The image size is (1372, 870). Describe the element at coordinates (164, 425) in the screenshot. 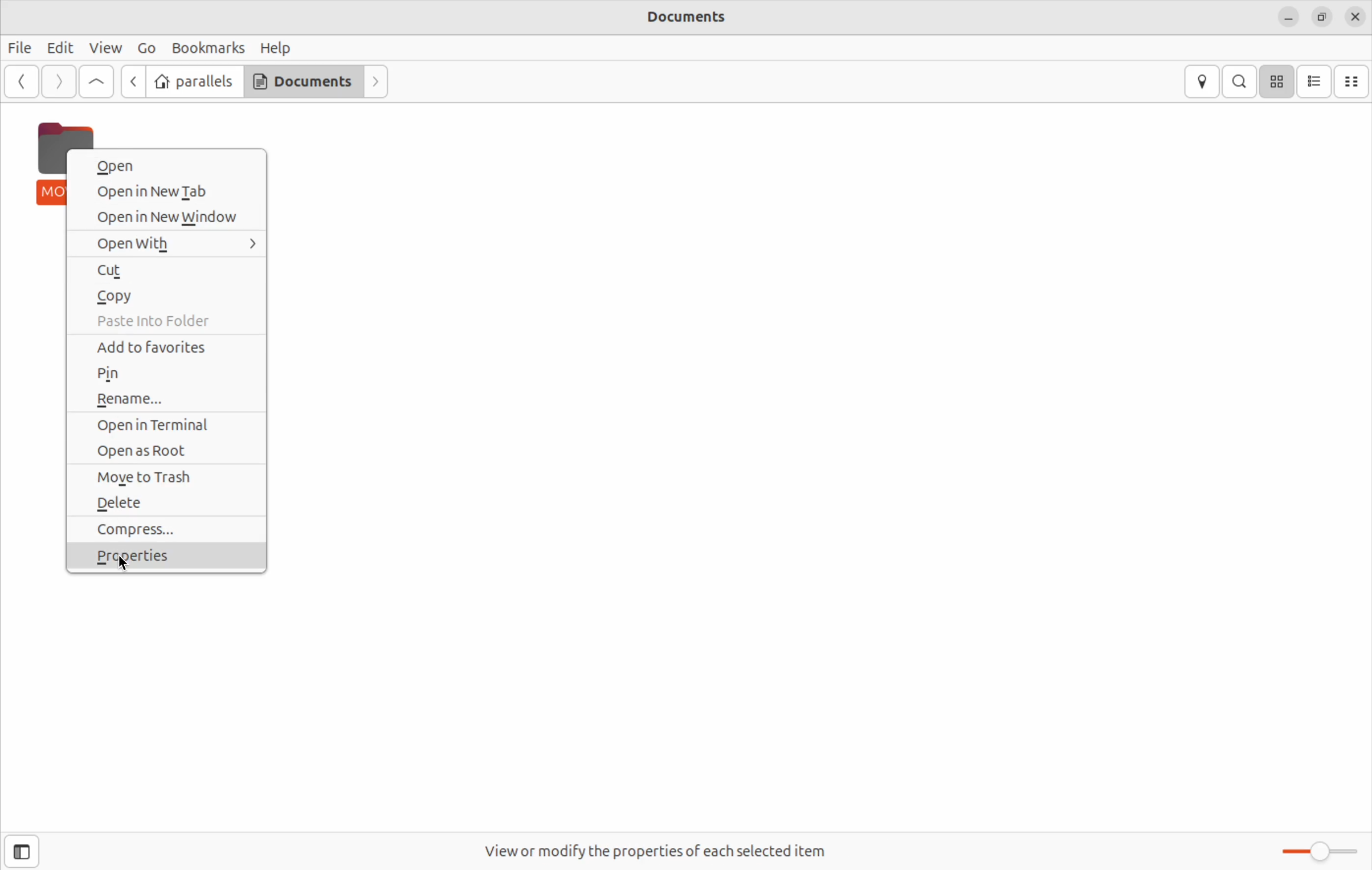

I see `open in terminal` at that location.